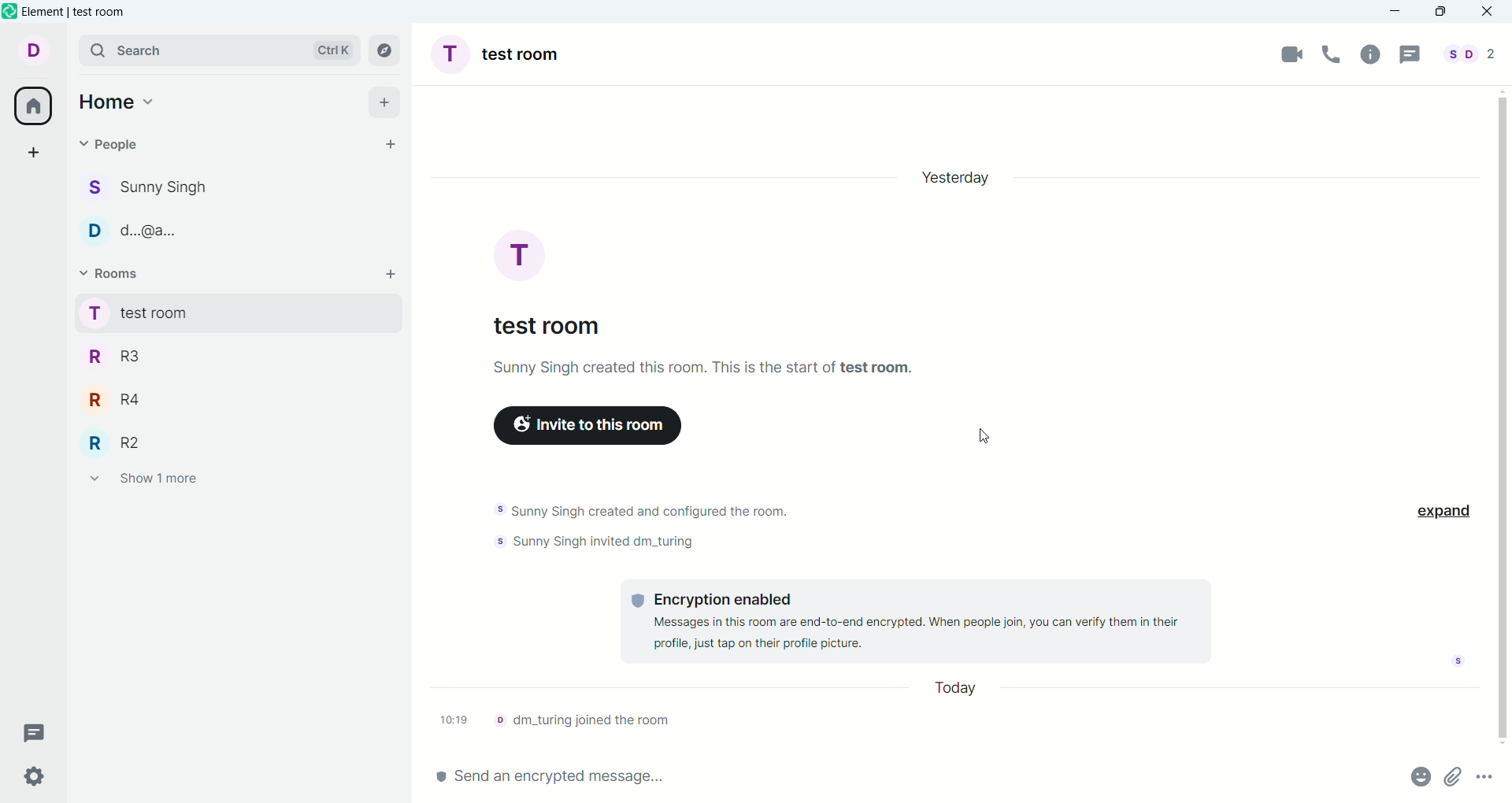  What do you see at coordinates (953, 178) in the screenshot?
I see `day` at bounding box center [953, 178].